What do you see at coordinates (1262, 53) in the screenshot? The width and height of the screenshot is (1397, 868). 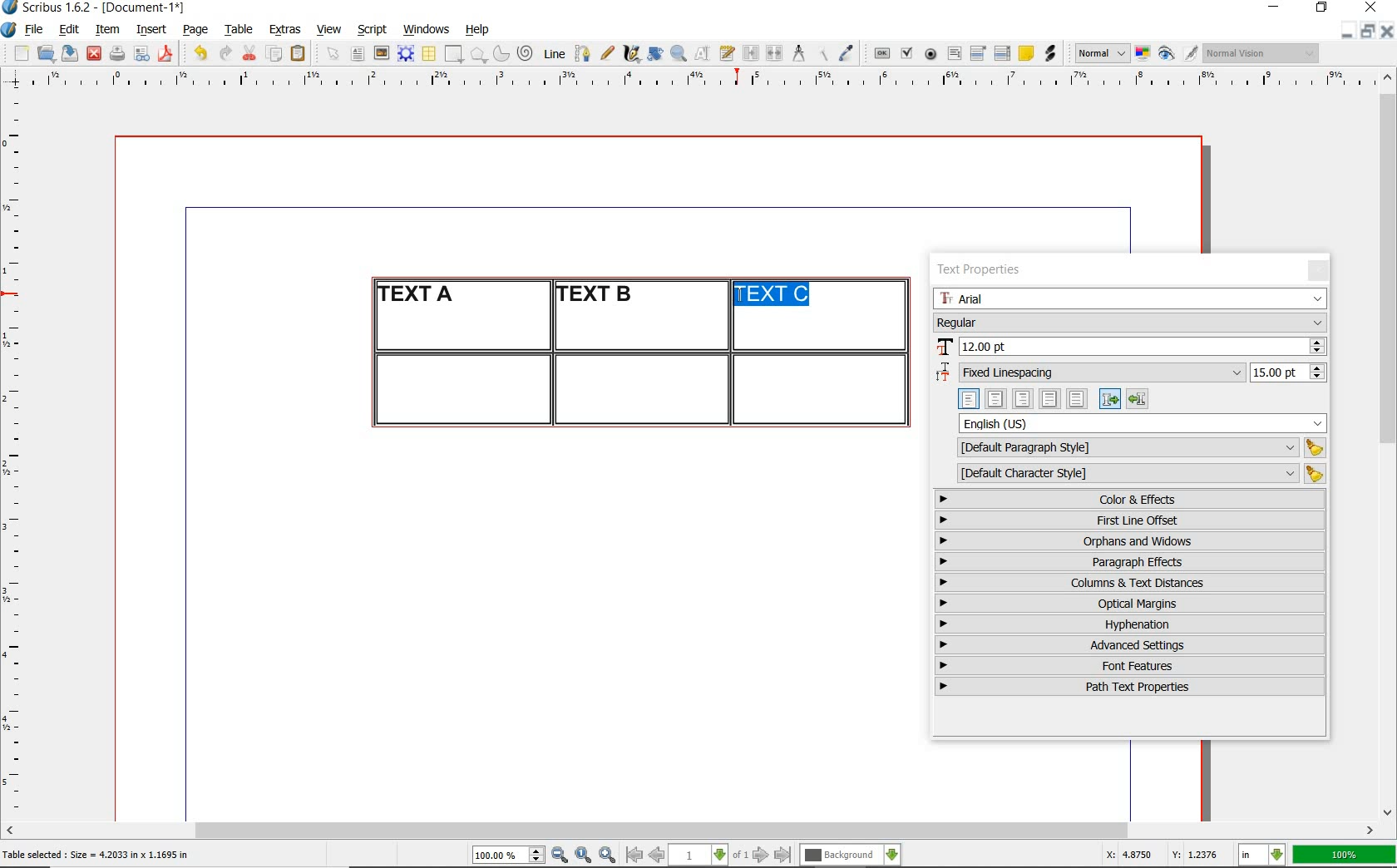 I see `visual appearance of the display` at bounding box center [1262, 53].